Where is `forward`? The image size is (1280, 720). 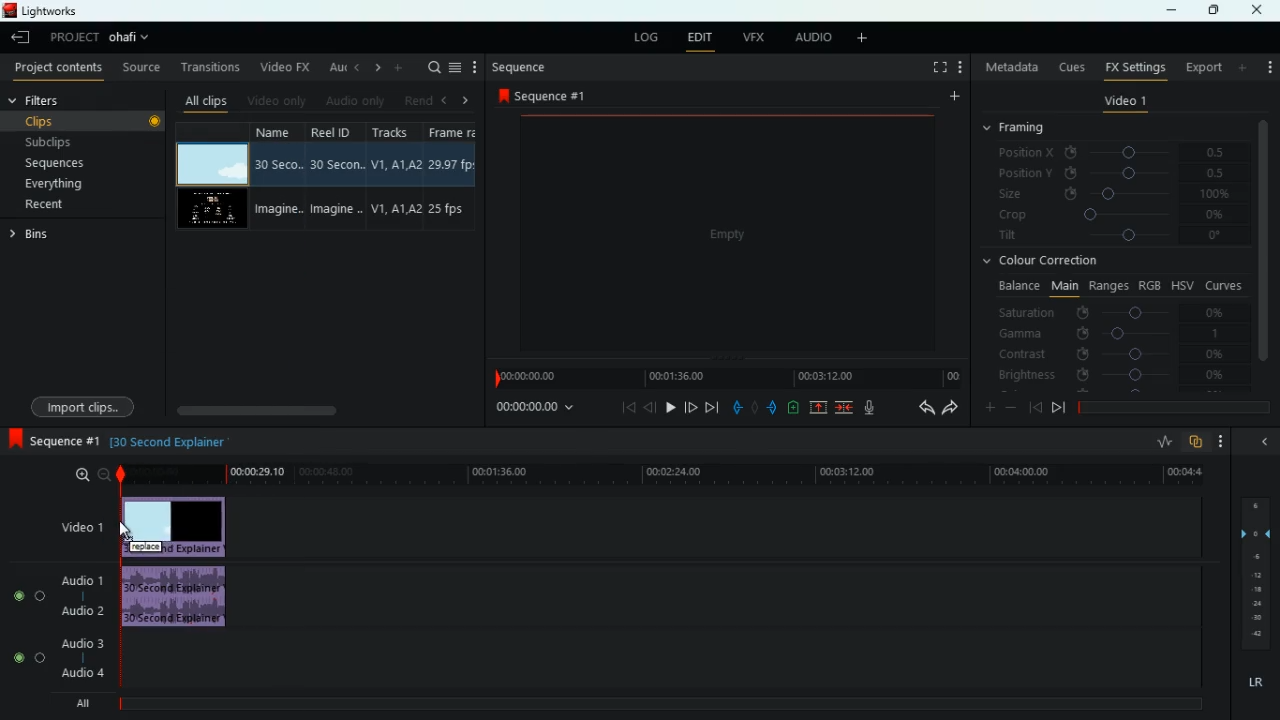 forward is located at coordinates (951, 409).